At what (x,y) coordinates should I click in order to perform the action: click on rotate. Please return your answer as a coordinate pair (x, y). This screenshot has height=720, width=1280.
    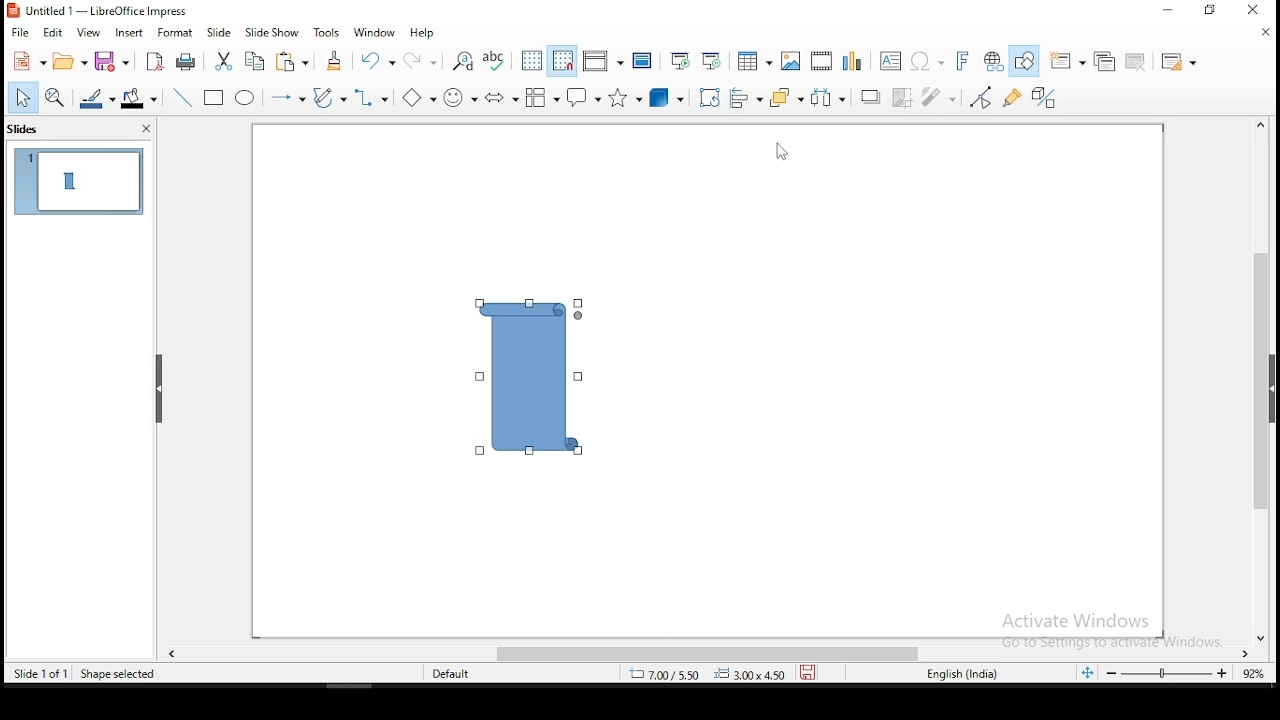
    Looking at the image, I should click on (709, 96).